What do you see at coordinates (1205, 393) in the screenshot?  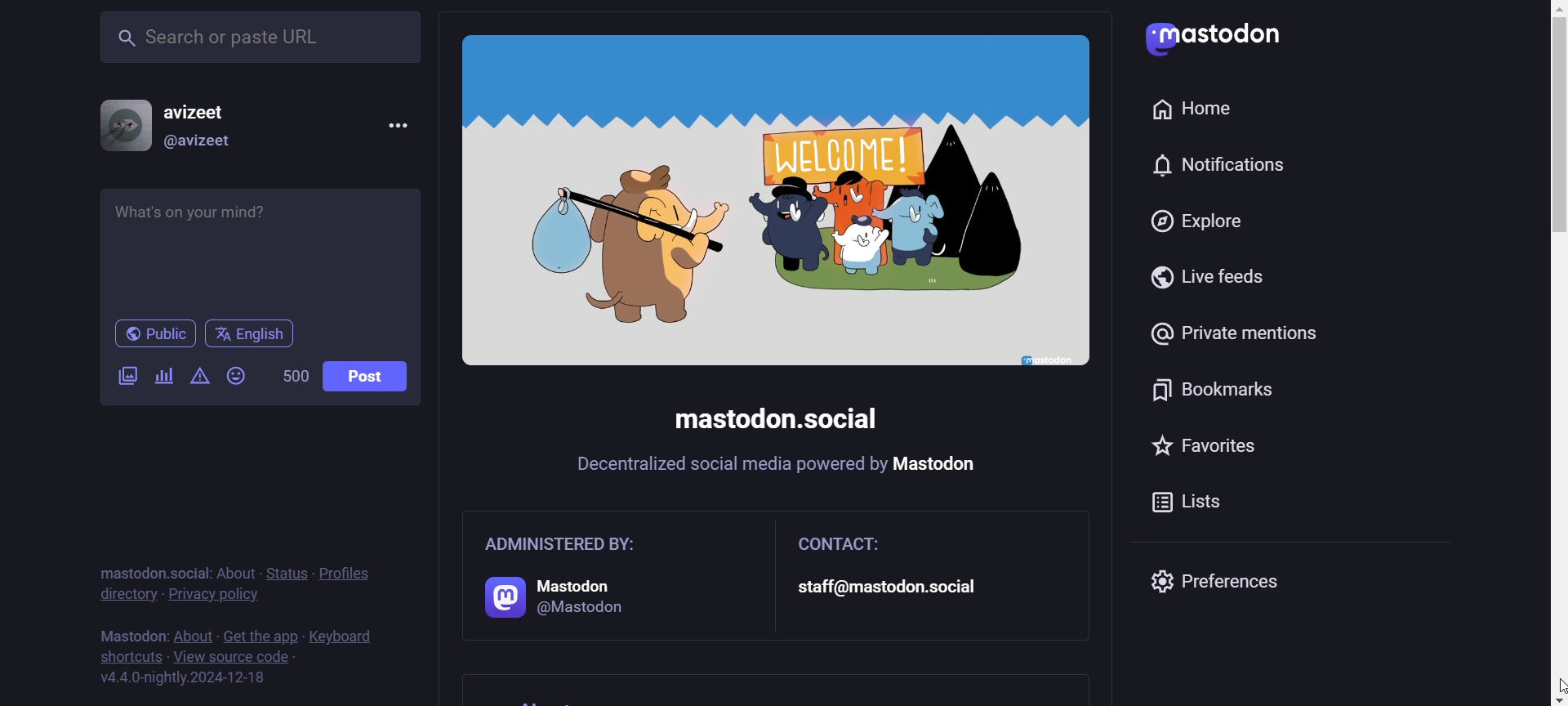 I see `bookmarks` at bounding box center [1205, 393].